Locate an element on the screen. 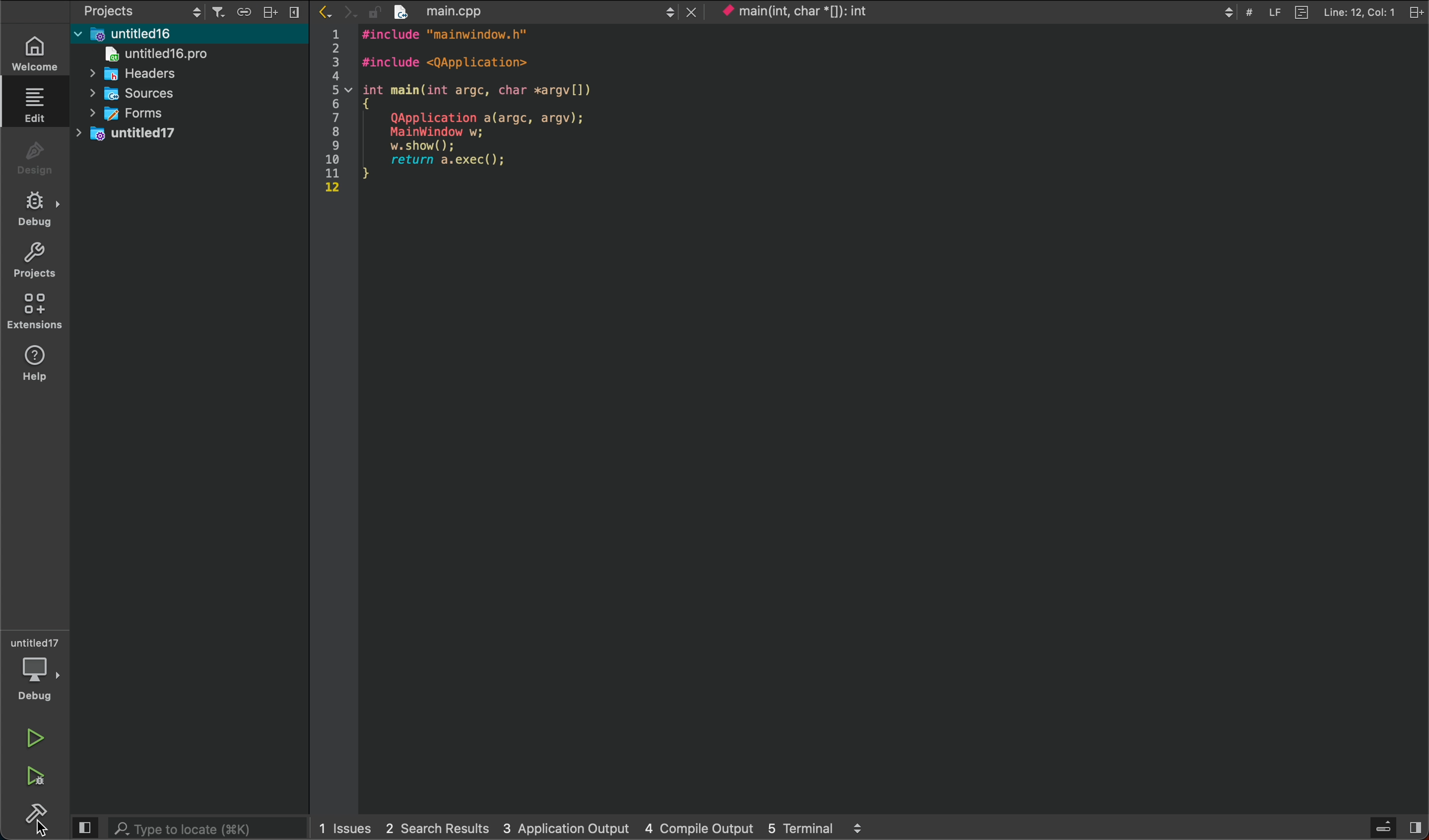  next is located at coordinates (352, 13).